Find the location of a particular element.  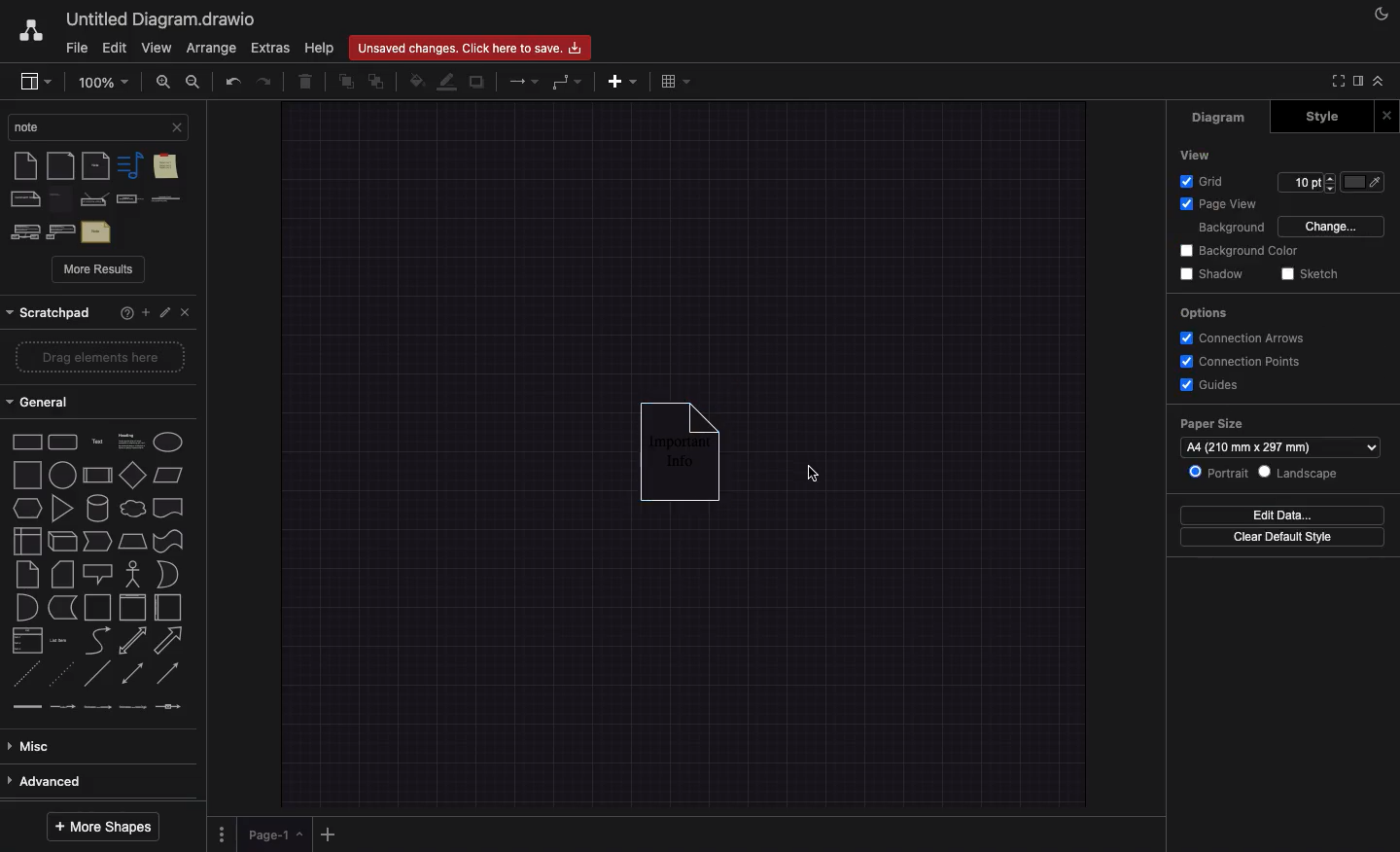

rounded rectangle is located at coordinates (63, 443).